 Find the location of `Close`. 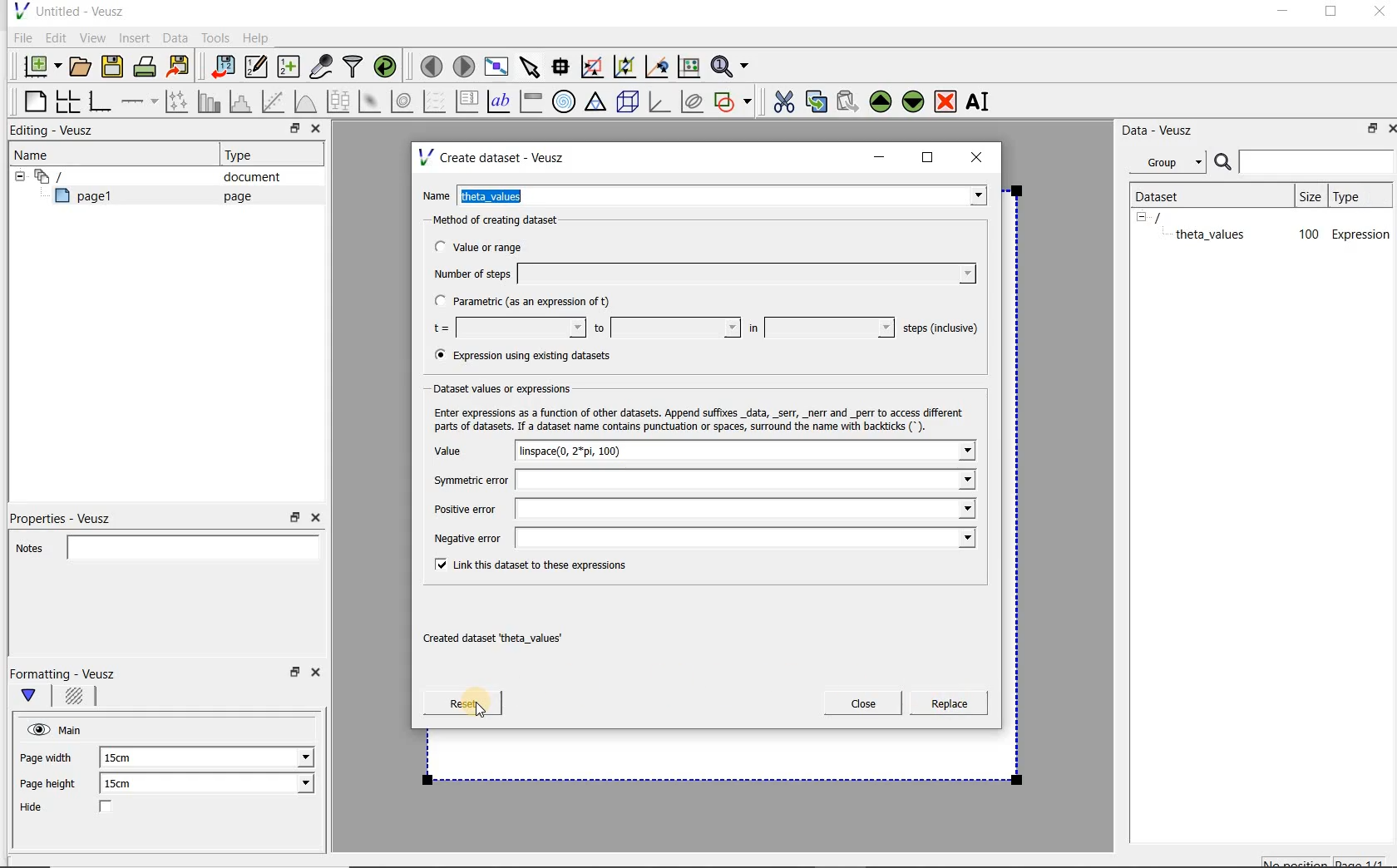

Close is located at coordinates (318, 675).